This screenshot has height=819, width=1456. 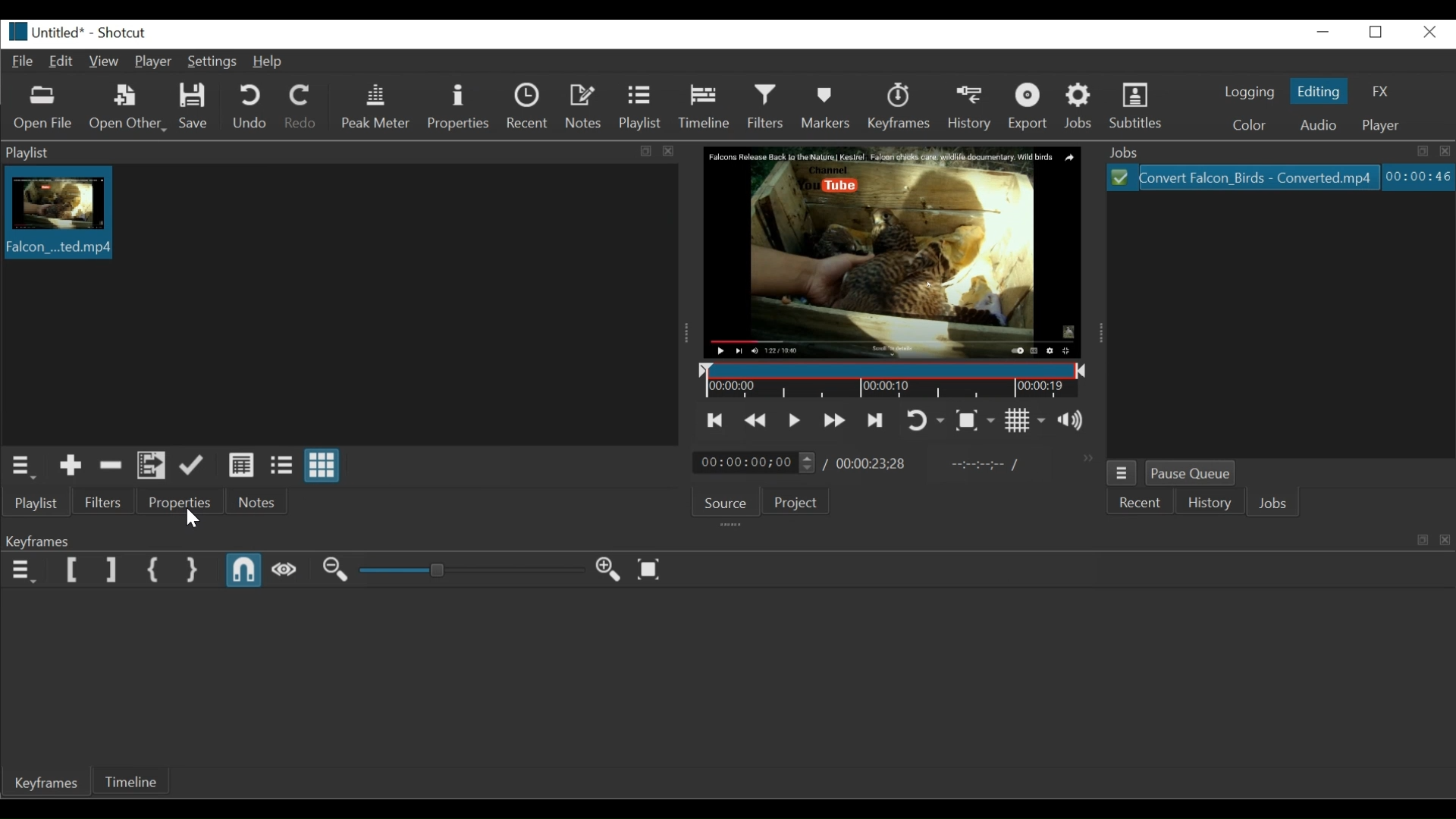 I want to click on Toggle to play or pause, so click(x=795, y=419).